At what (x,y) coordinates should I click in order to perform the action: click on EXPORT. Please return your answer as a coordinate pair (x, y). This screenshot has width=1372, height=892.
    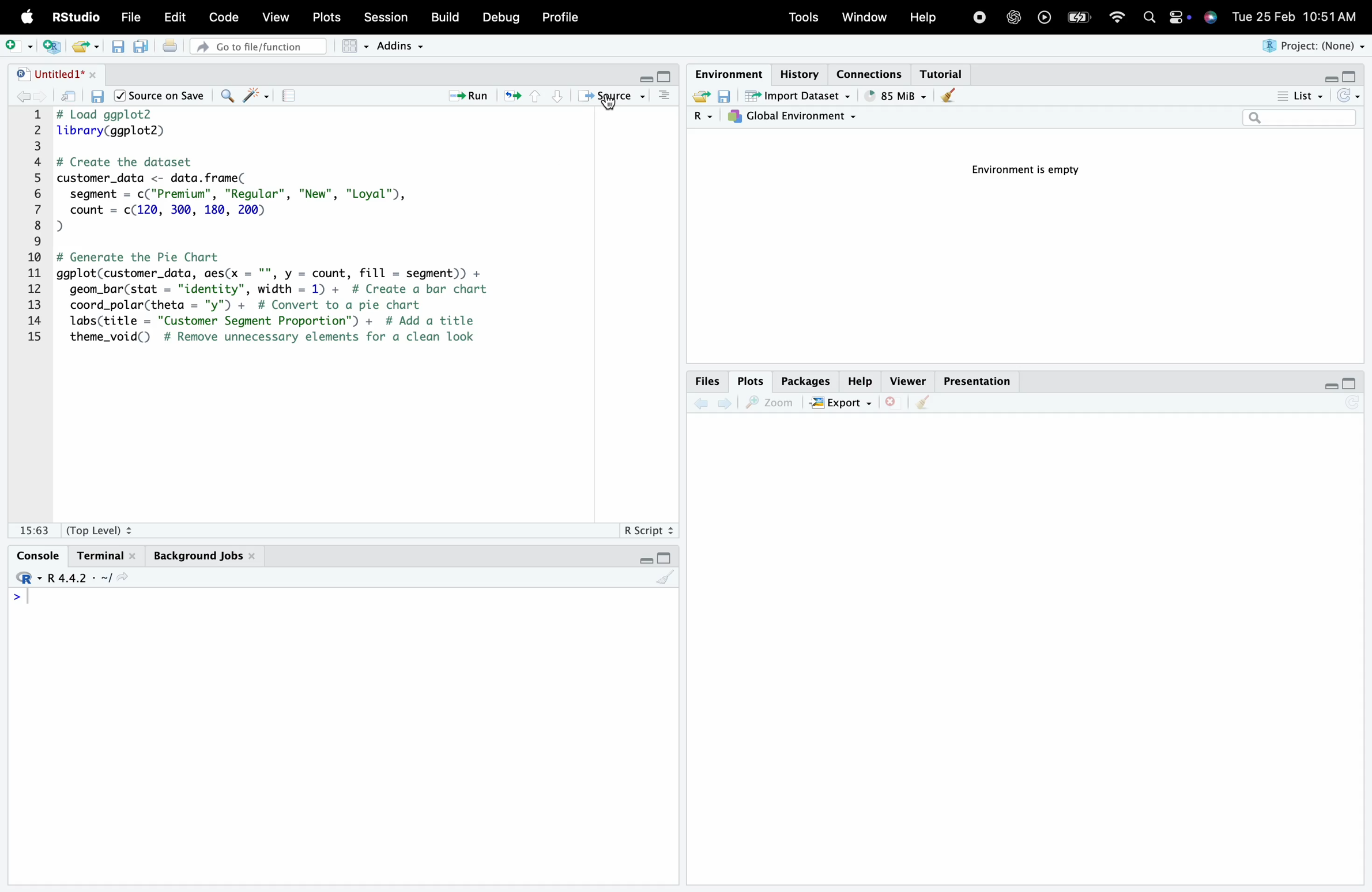
    Looking at the image, I should click on (842, 403).